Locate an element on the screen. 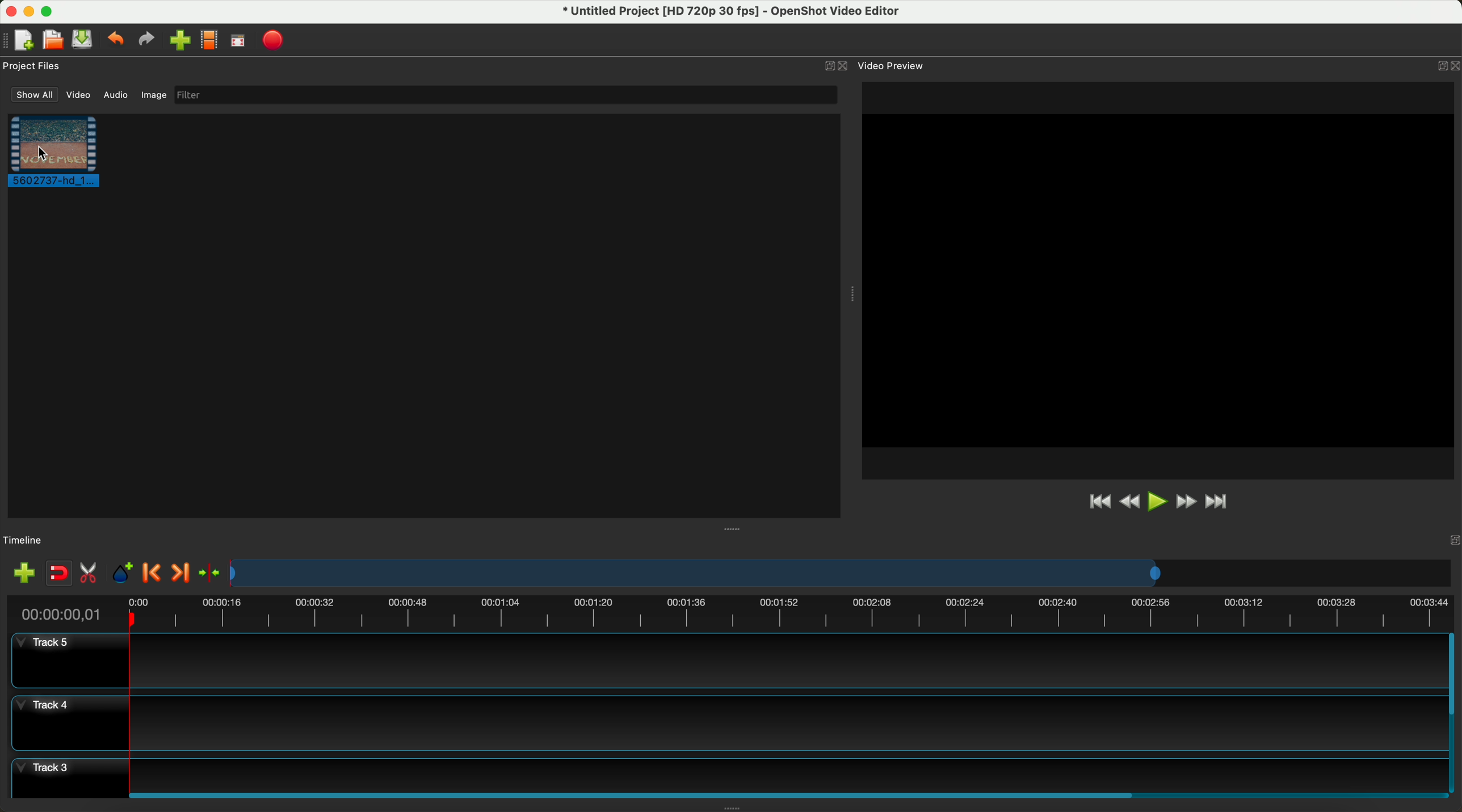  show all is located at coordinates (34, 94).